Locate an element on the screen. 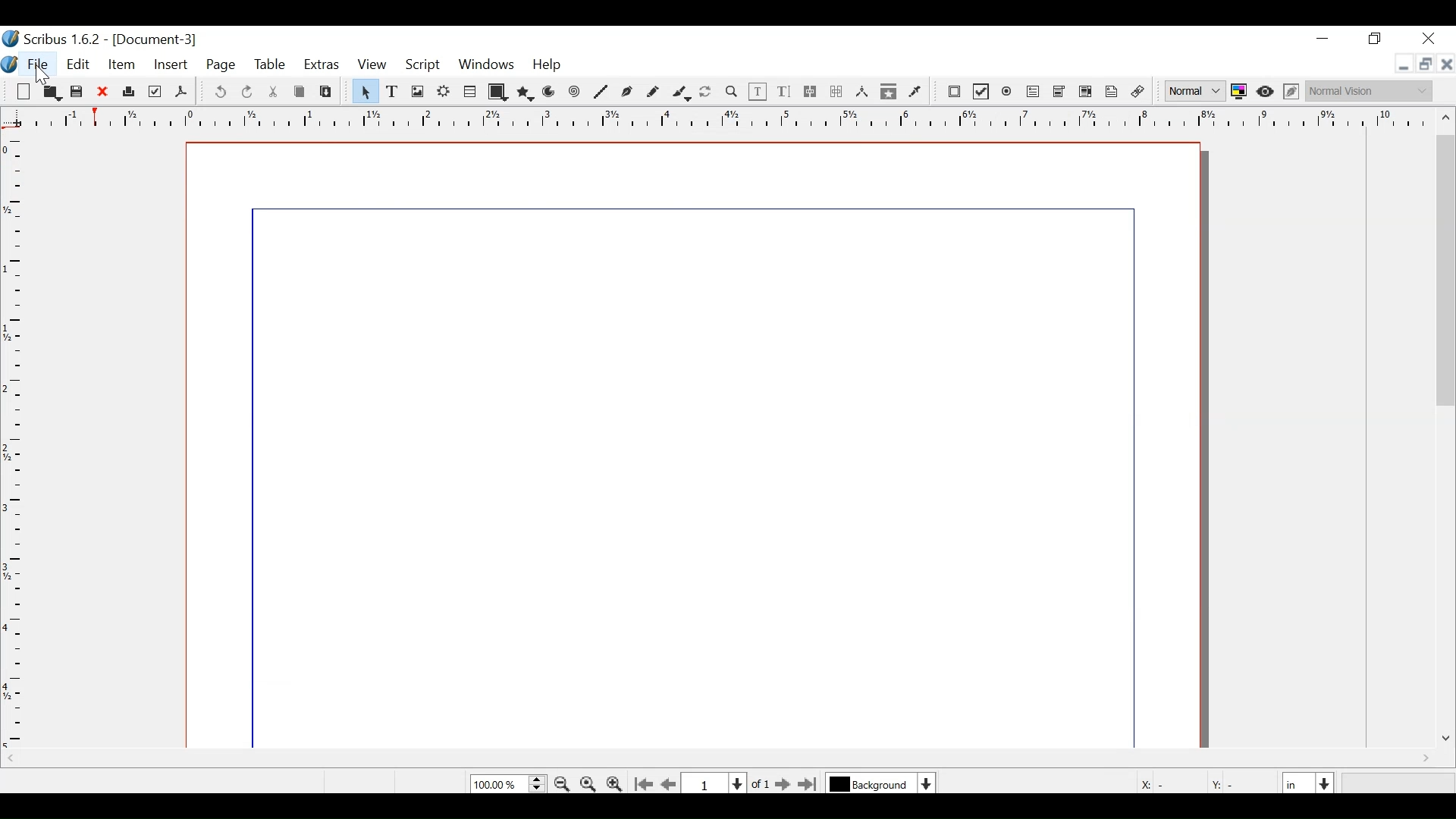 The height and width of the screenshot is (819, 1456). Select the visual appearnce is located at coordinates (1373, 91).